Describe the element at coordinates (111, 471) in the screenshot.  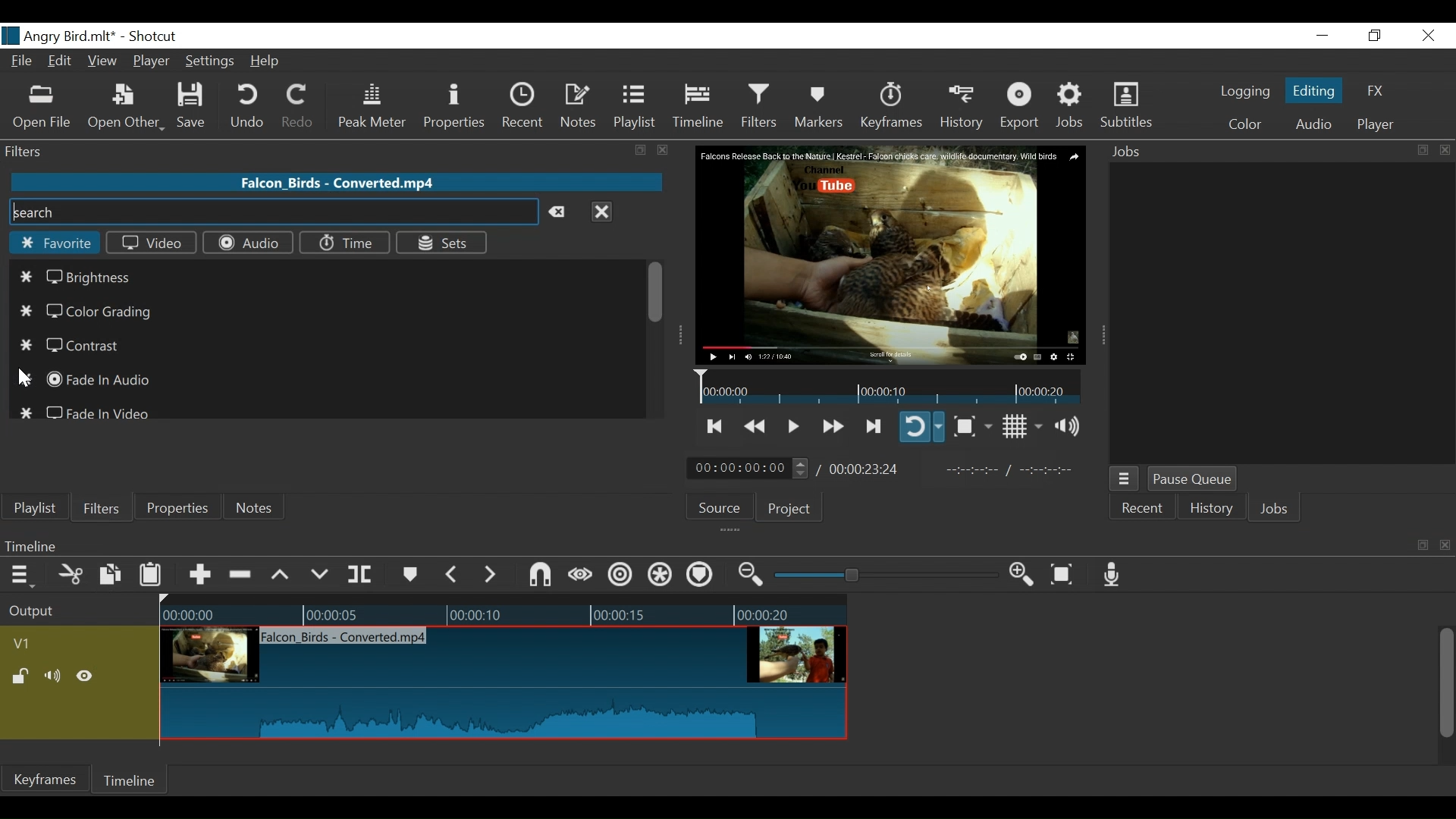
I see `Remove Cut` at that location.